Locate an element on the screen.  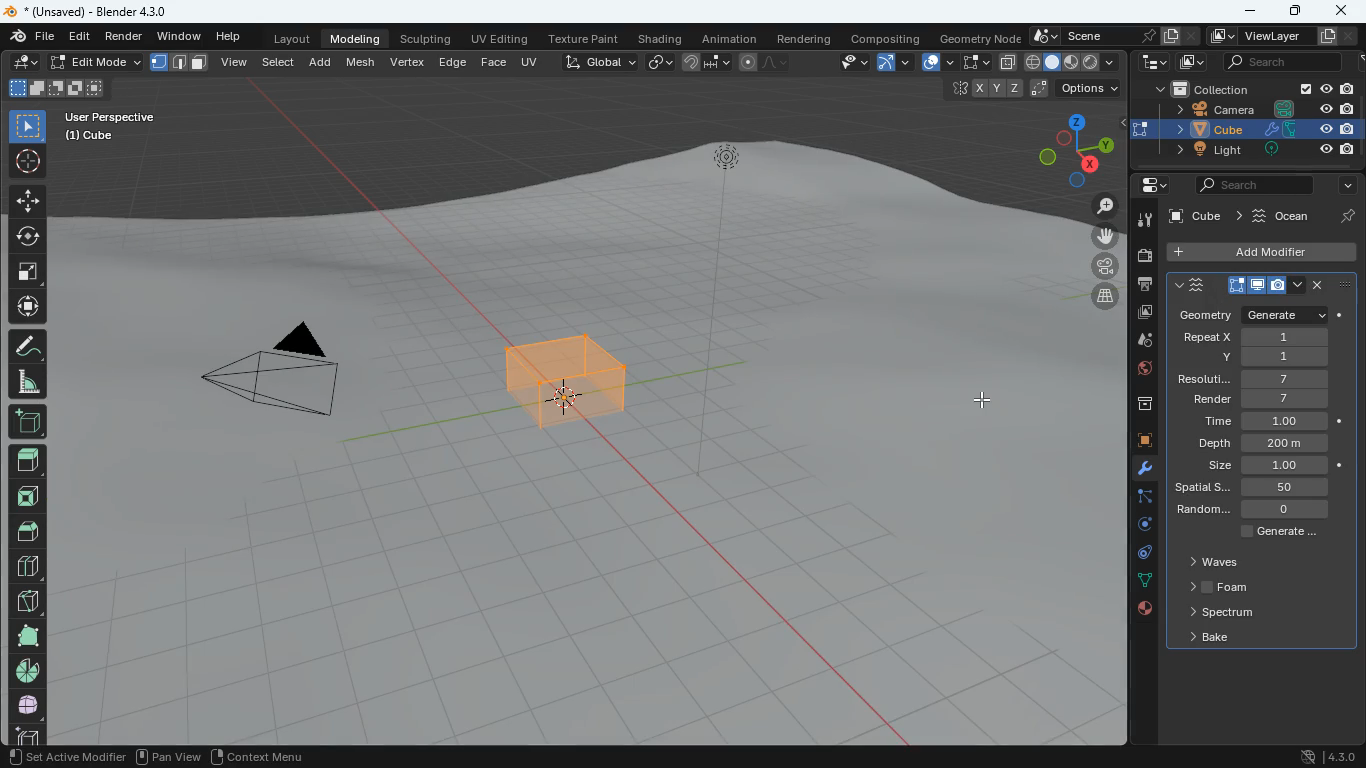
vertex is located at coordinates (409, 63).